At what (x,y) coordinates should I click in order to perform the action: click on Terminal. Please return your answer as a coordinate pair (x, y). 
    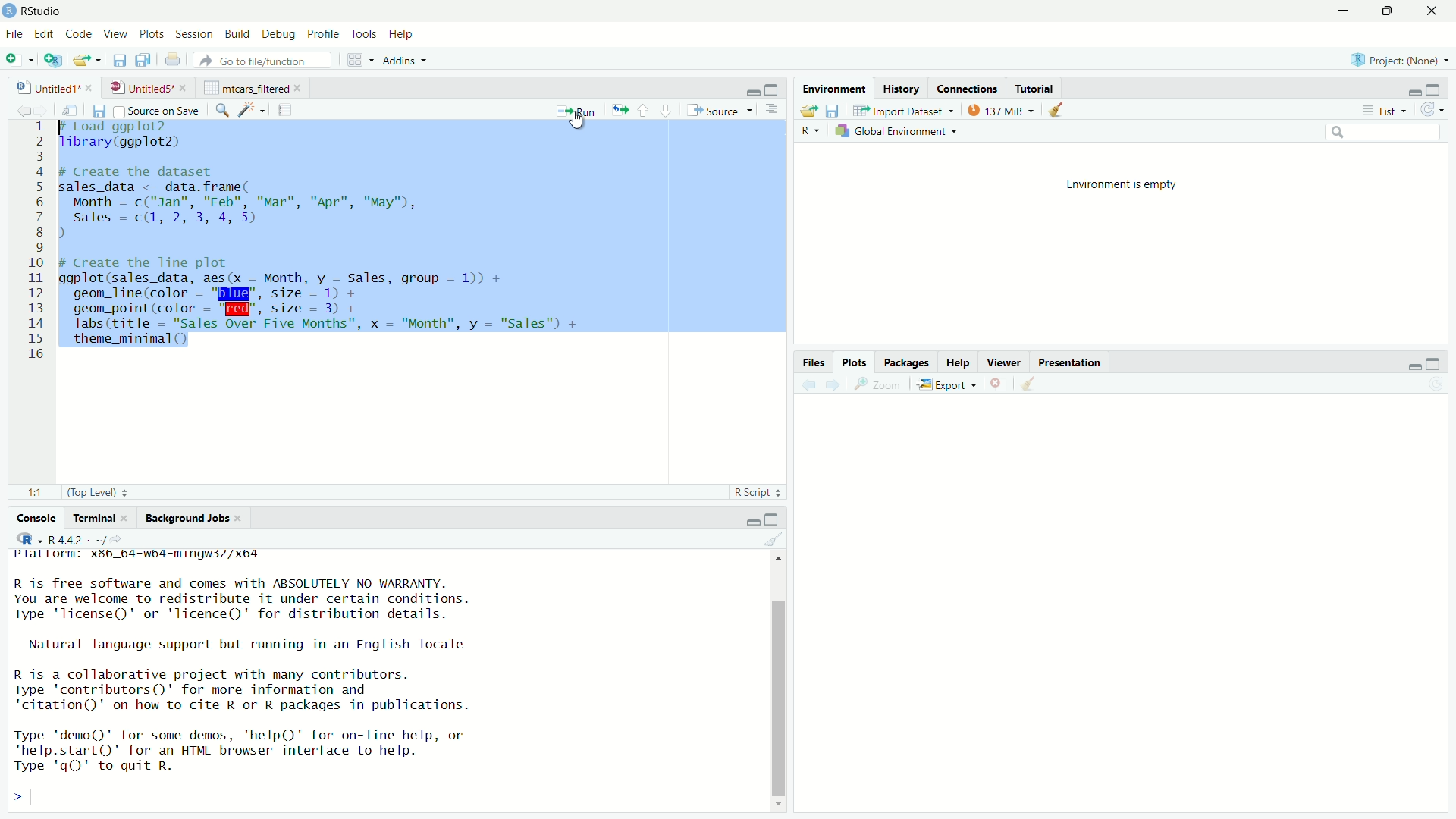
    Looking at the image, I should click on (95, 517).